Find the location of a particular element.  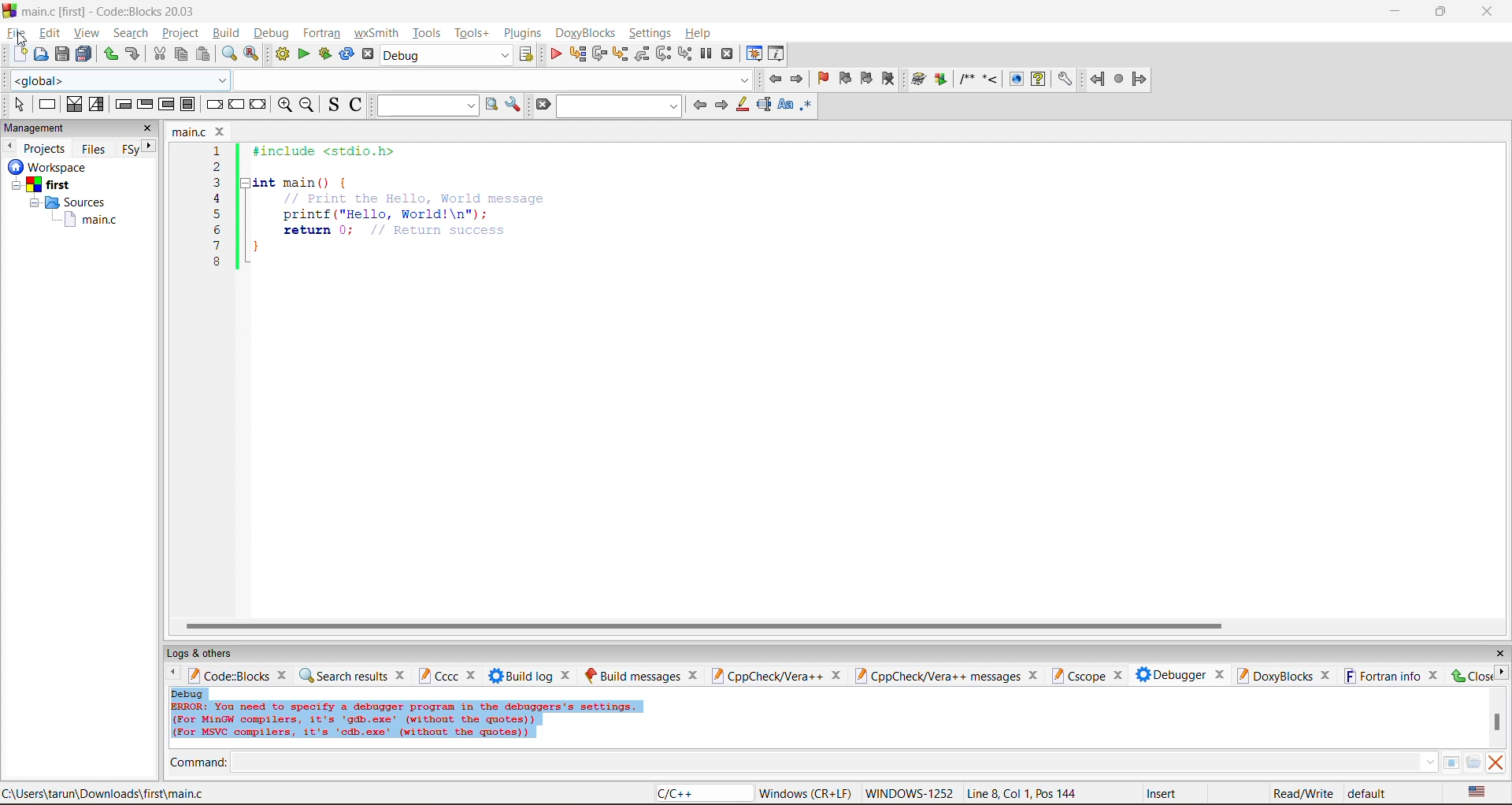

close is located at coordinates (284, 674).